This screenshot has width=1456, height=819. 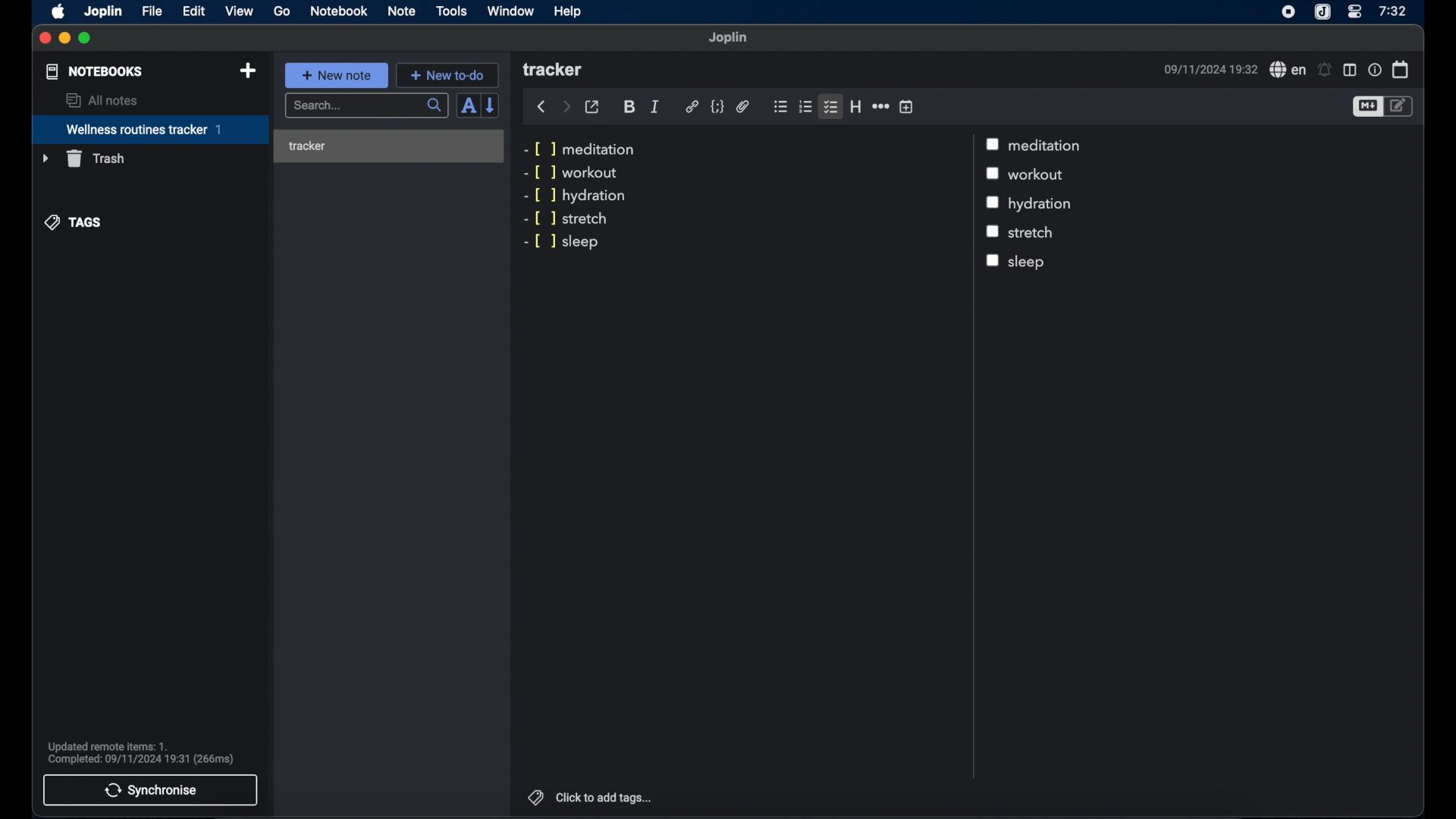 I want to click on toggle editor layout, so click(x=1349, y=70).